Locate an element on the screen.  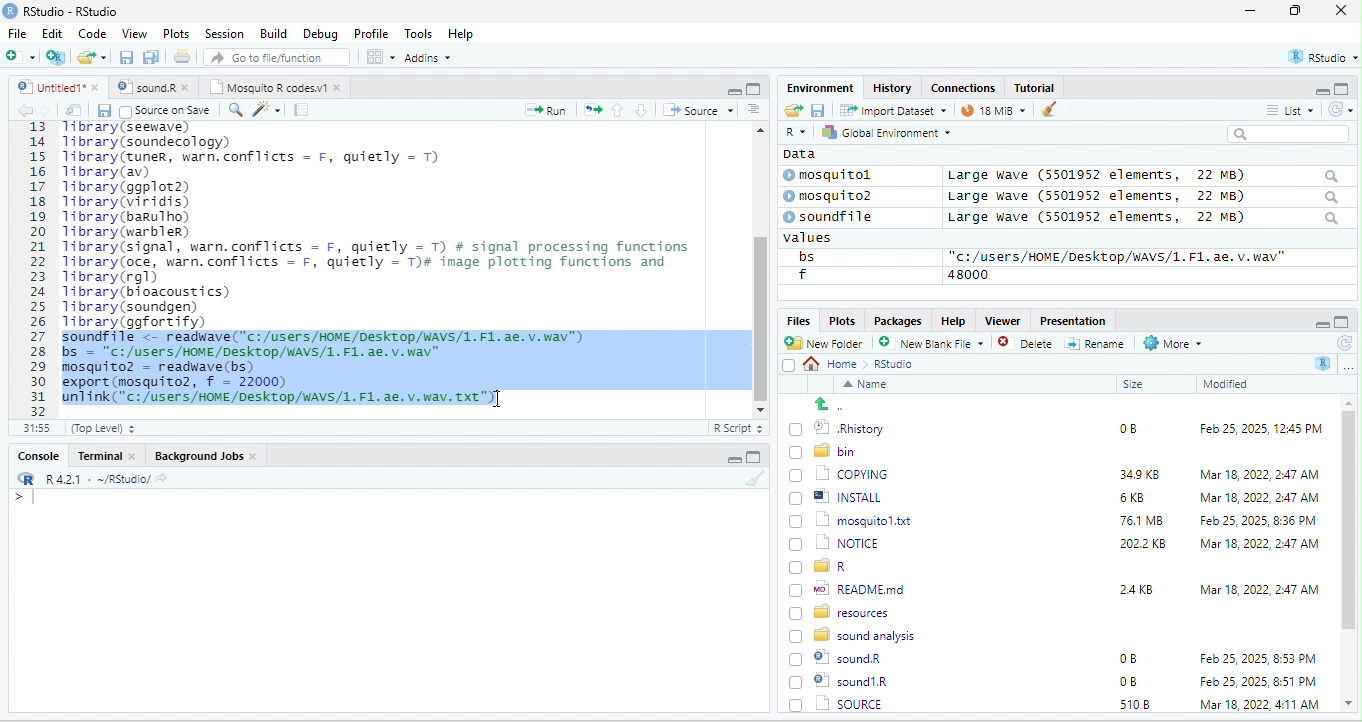
R is located at coordinates (1324, 363).